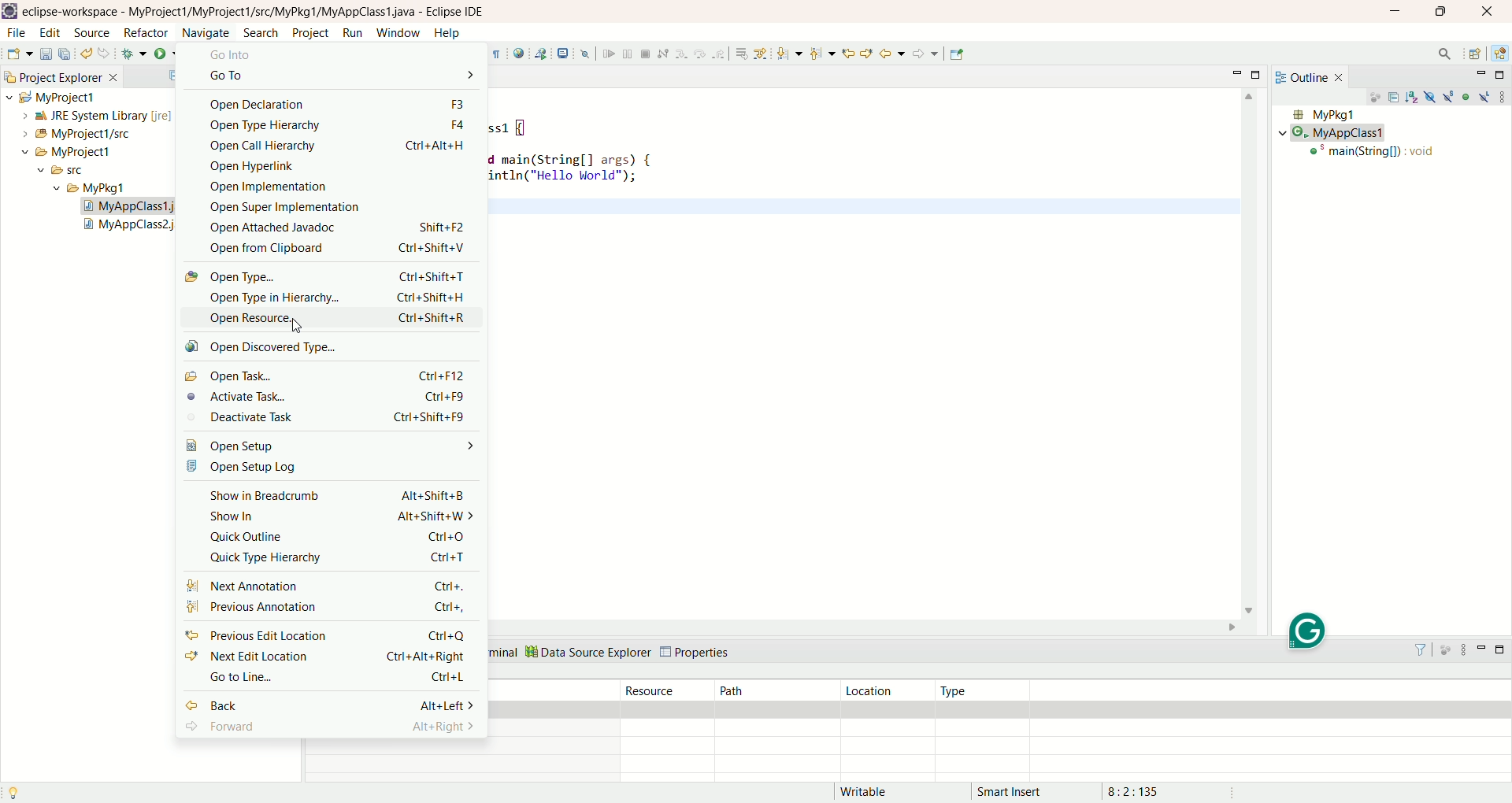 The image size is (1512, 803). What do you see at coordinates (105, 54) in the screenshot?
I see `redo` at bounding box center [105, 54].